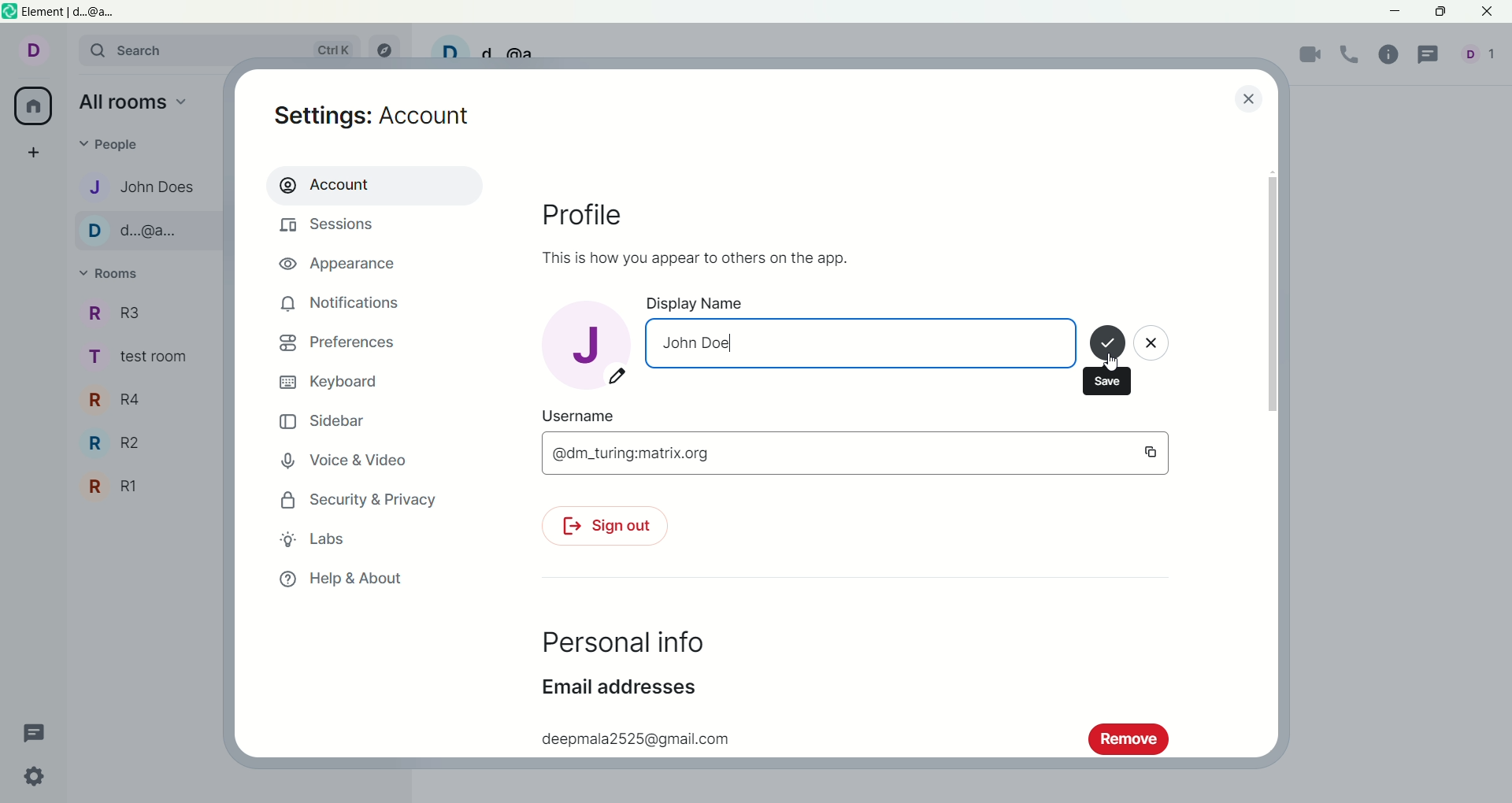 This screenshot has width=1512, height=803. I want to click on search, so click(226, 51).